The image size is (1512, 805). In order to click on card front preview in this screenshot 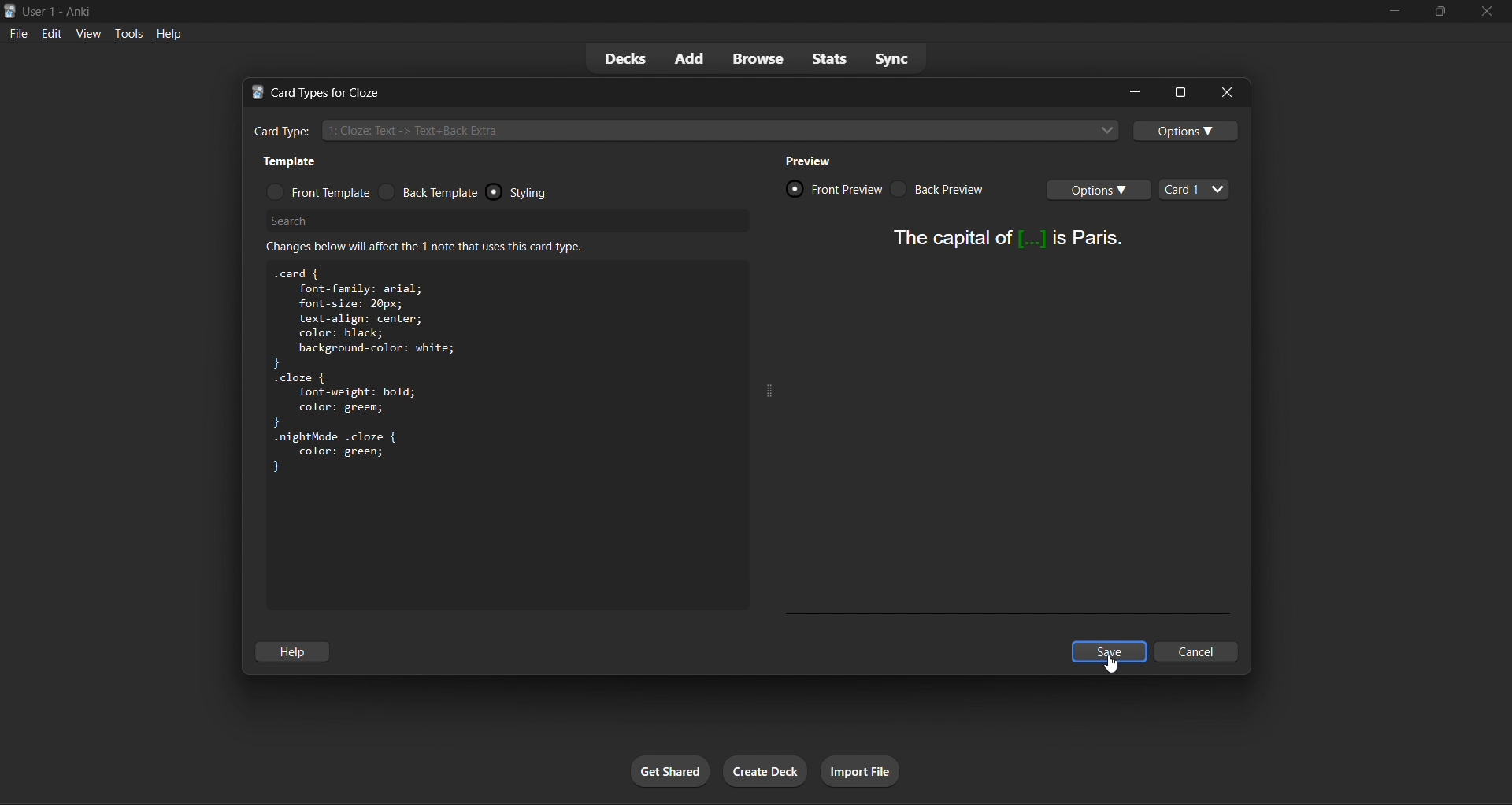, I will do `click(832, 188)`.